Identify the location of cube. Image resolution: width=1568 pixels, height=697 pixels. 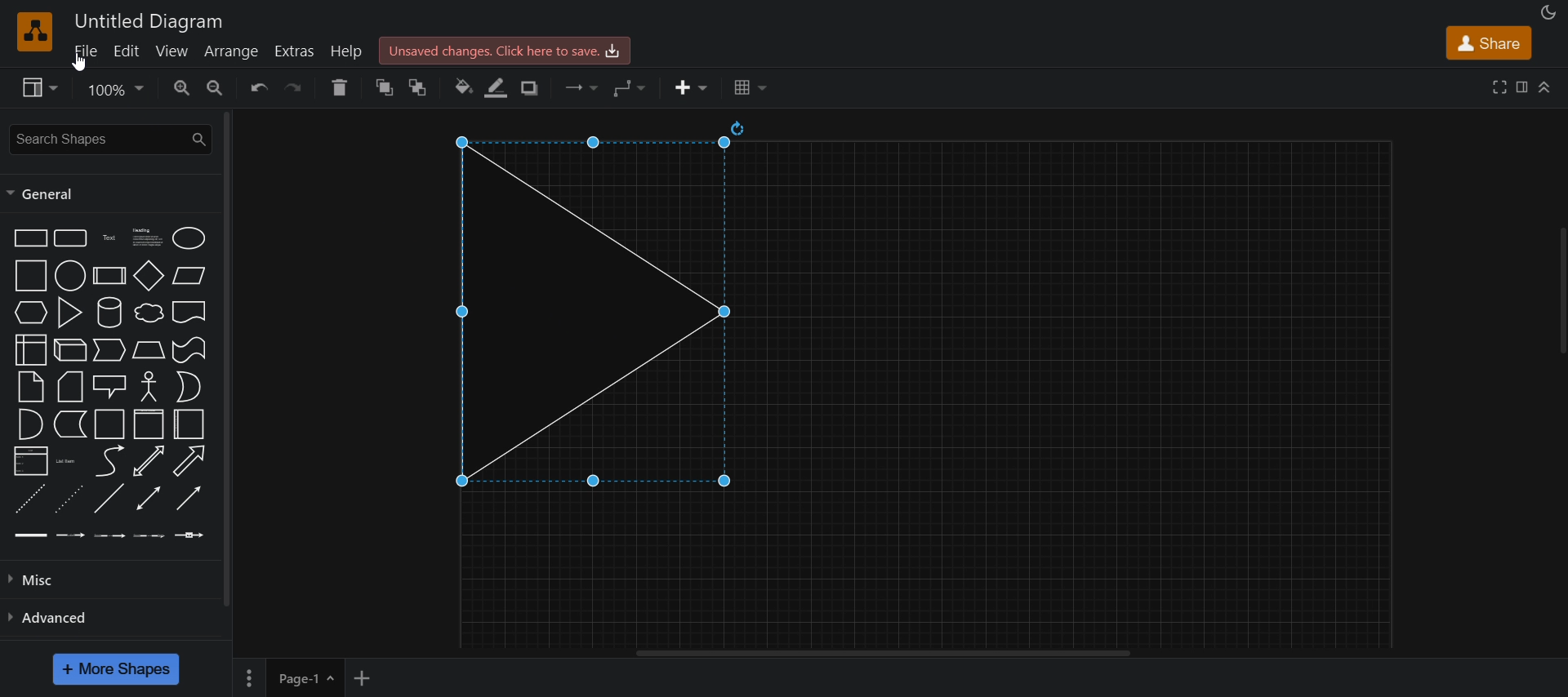
(72, 350).